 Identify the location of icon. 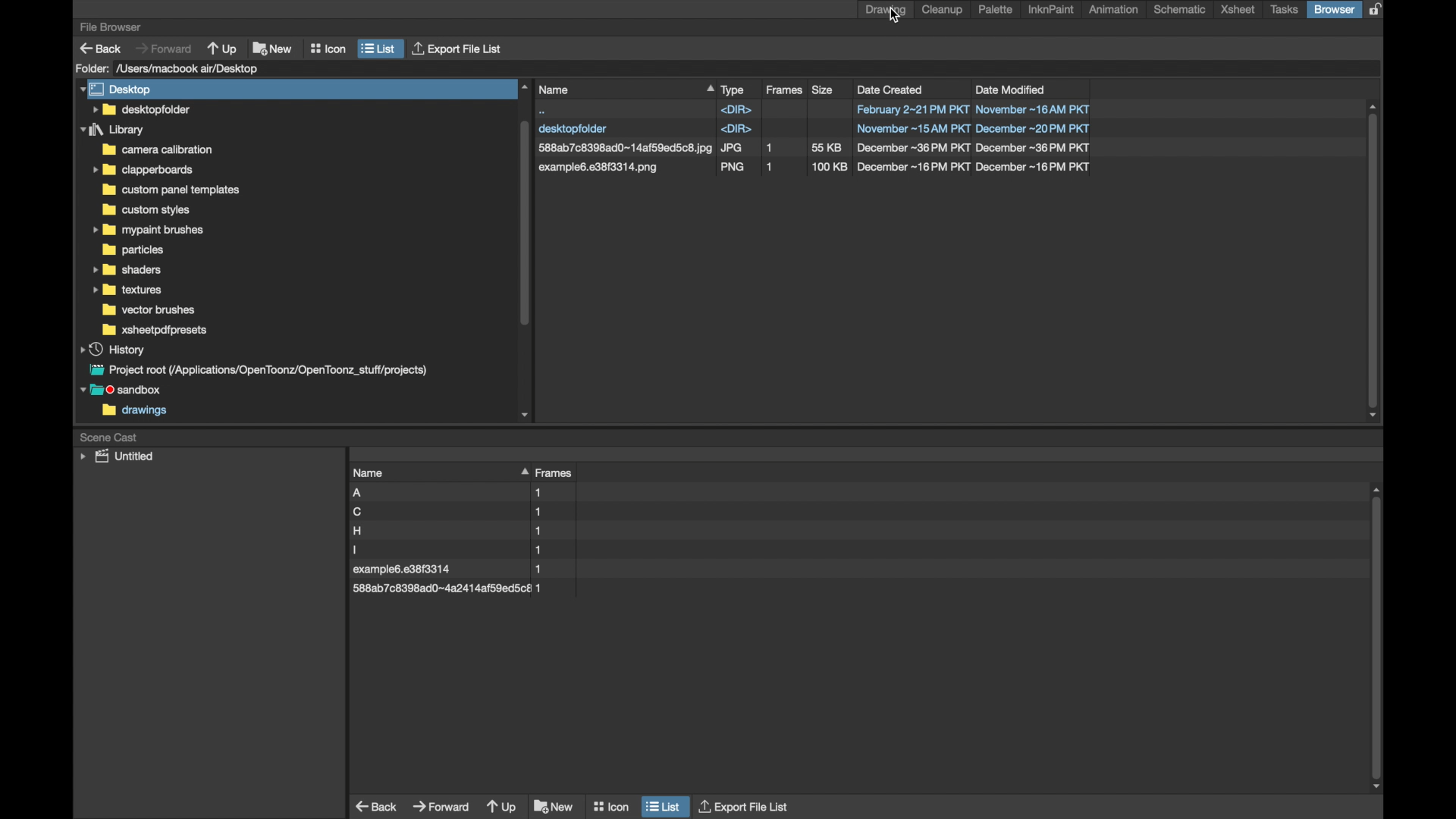
(610, 803).